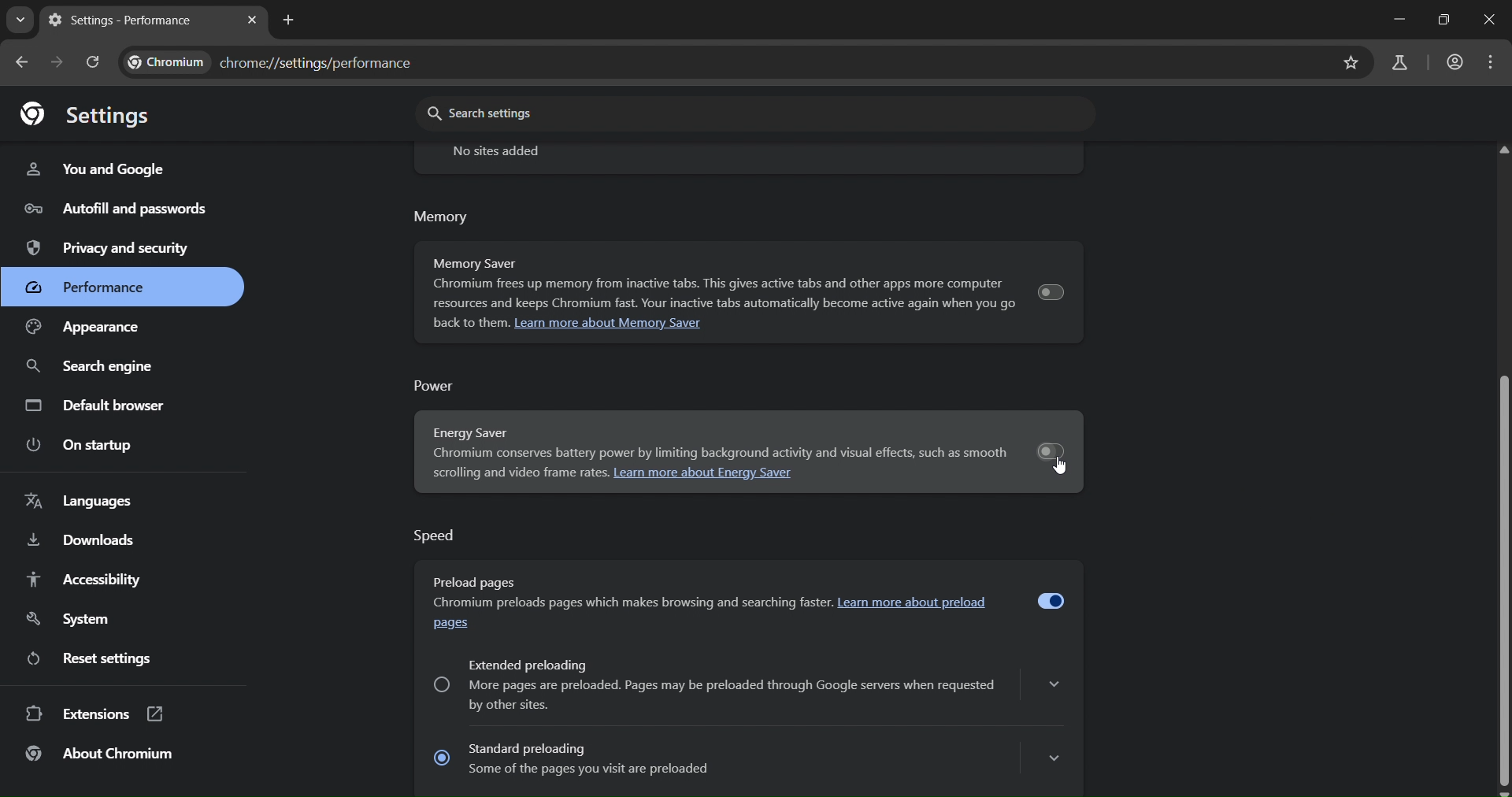 Image resolution: width=1512 pixels, height=797 pixels. Describe the element at coordinates (443, 216) in the screenshot. I see `memory` at that location.